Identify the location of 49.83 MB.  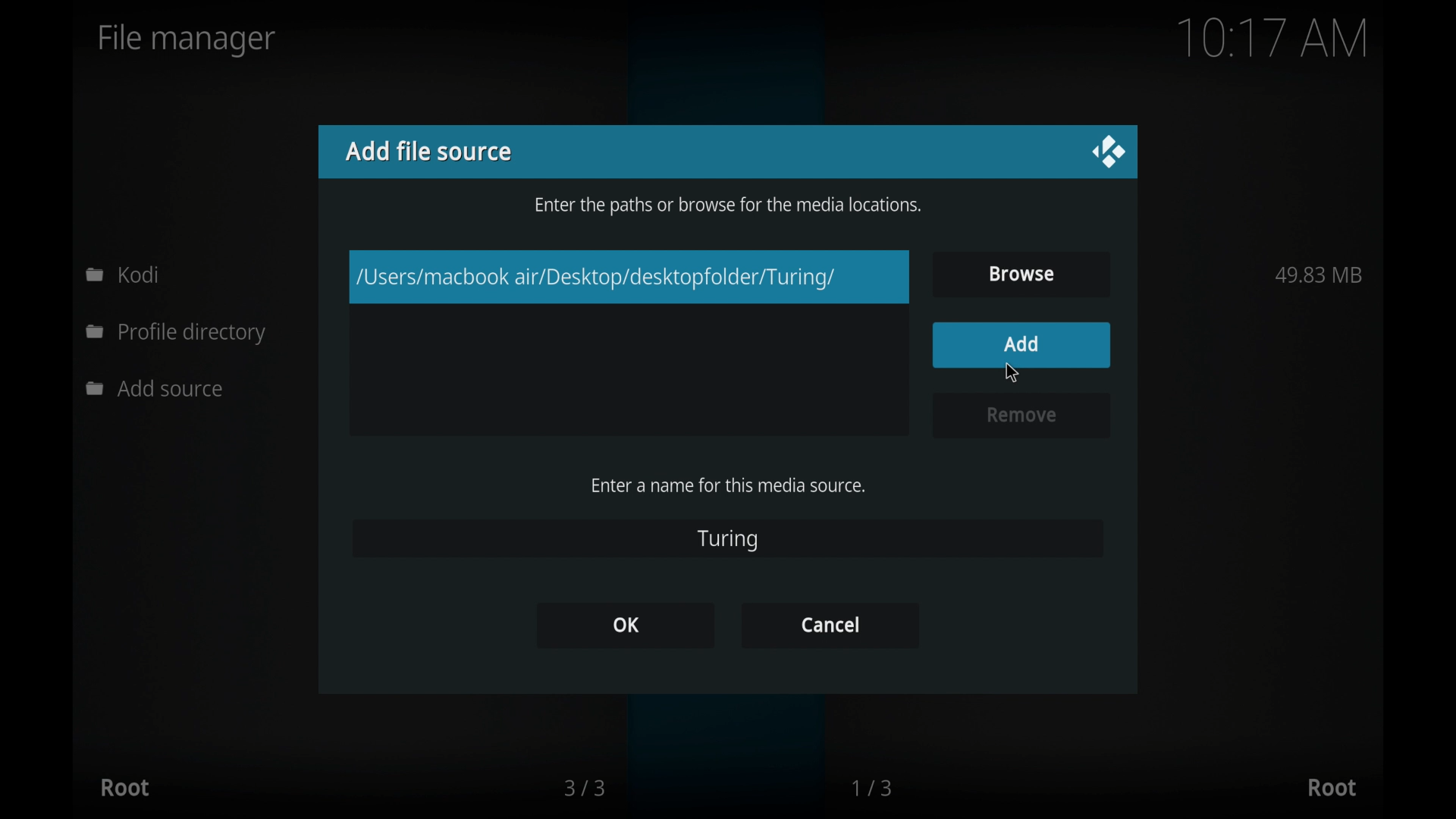
(1319, 275).